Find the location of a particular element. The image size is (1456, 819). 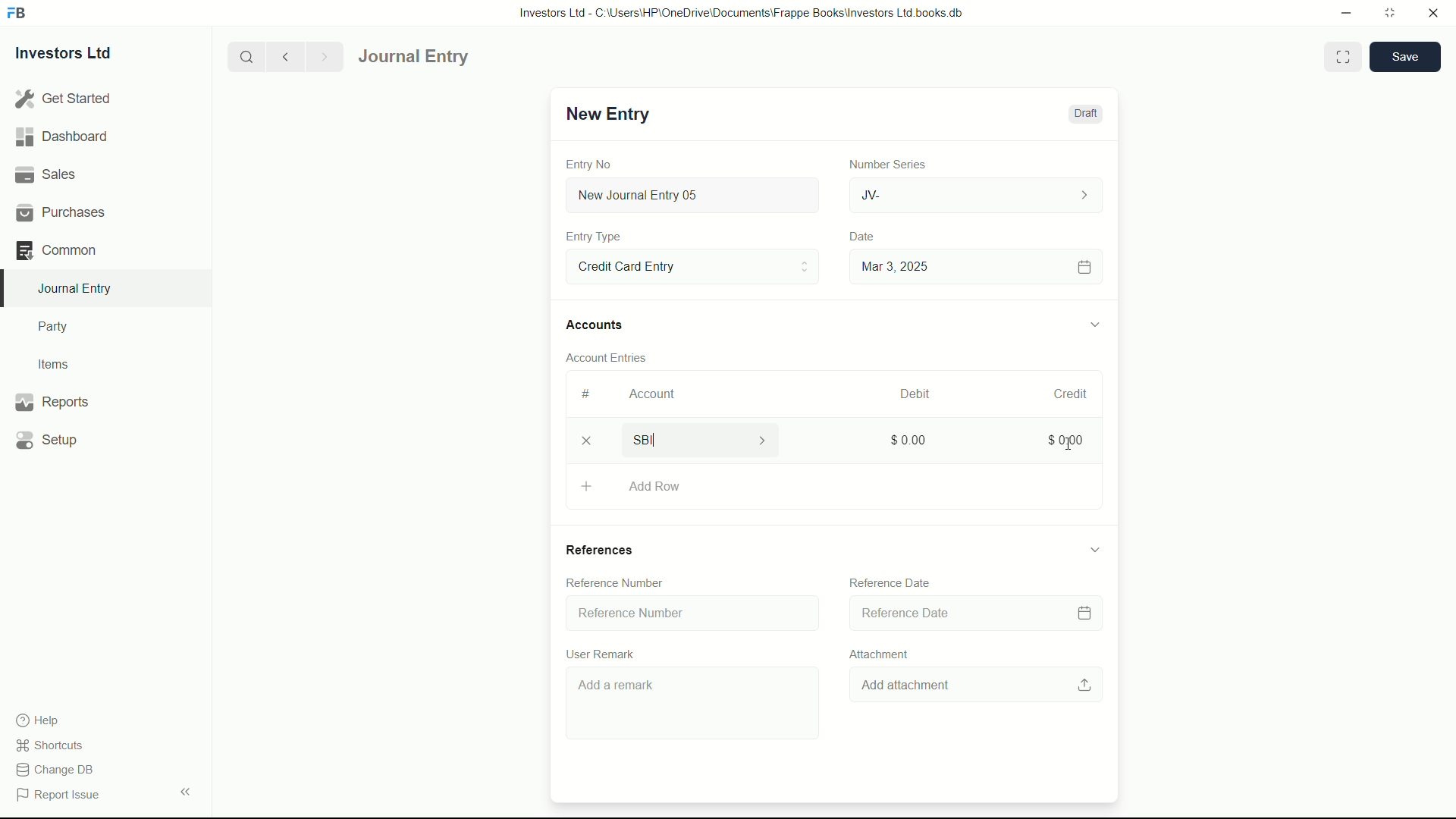

Entry No is located at coordinates (591, 162).